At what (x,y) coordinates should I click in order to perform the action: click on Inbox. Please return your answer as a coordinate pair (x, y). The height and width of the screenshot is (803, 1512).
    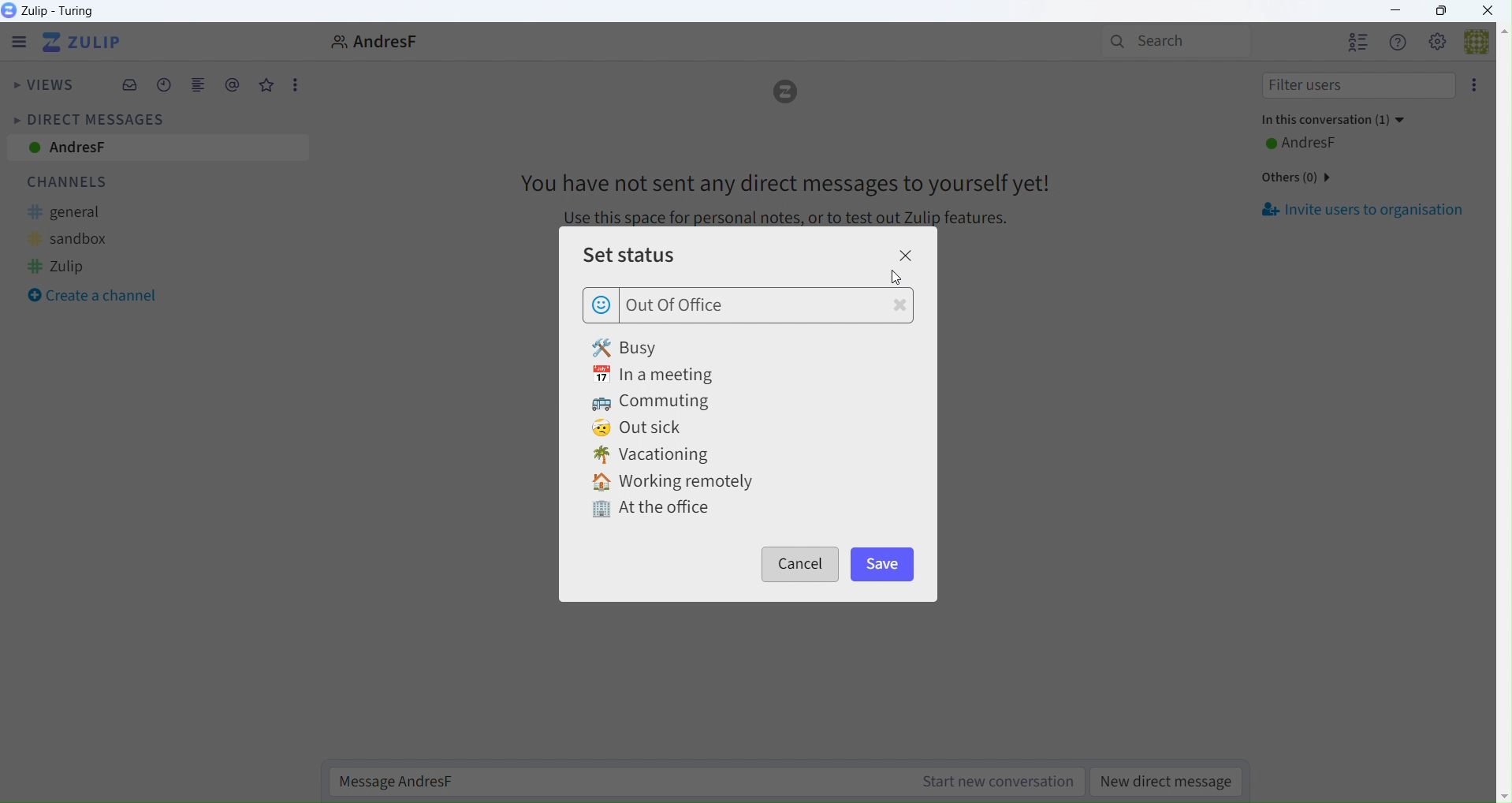
    Looking at the image, I should click on (132, 86).